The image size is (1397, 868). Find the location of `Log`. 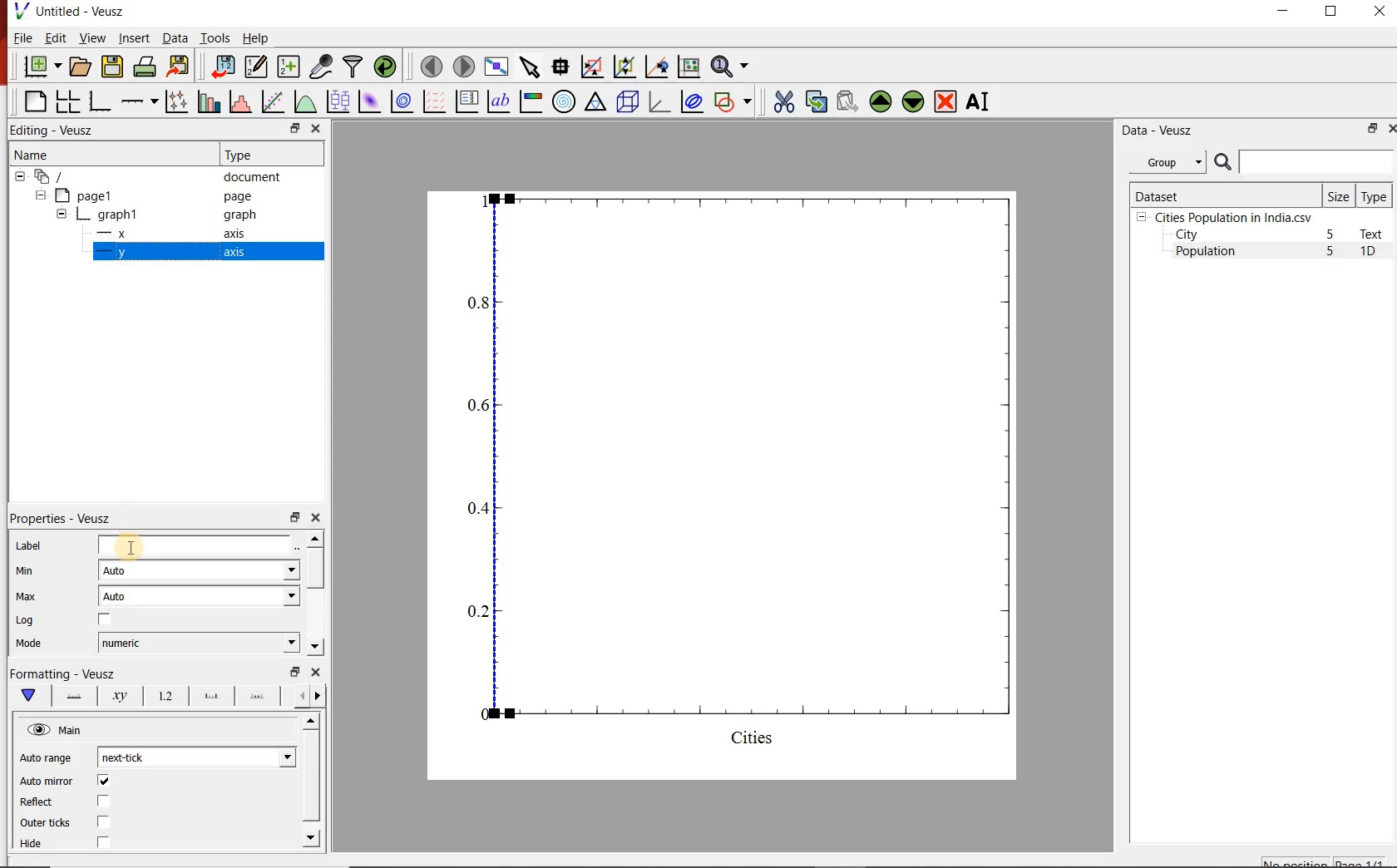

Log is located at coordinates (27, 621).